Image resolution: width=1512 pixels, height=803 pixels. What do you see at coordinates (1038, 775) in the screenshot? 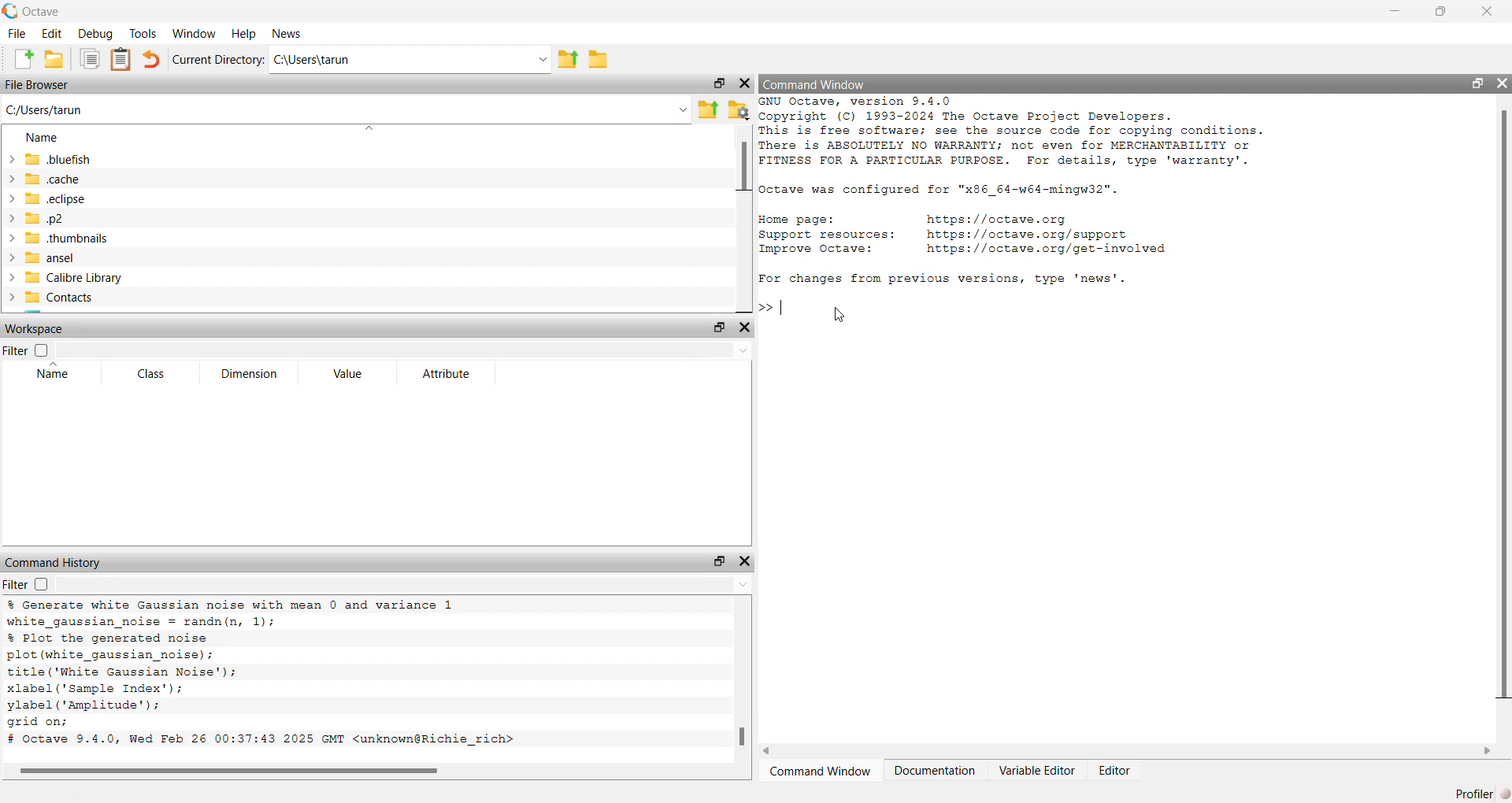
I see `Variable Editor` at bounding box center [1038, 775].